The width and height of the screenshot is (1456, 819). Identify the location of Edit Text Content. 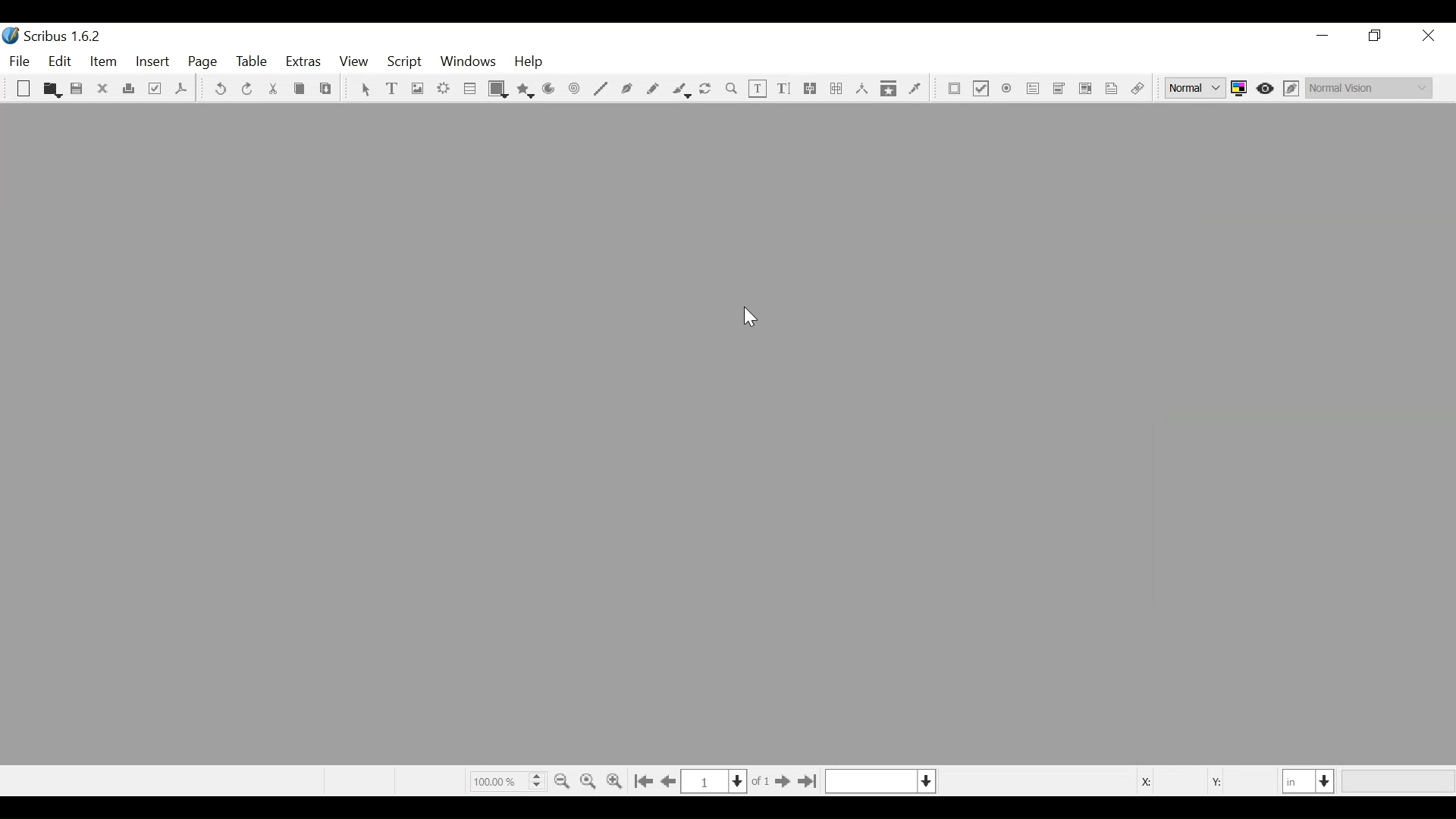
(758, 89).